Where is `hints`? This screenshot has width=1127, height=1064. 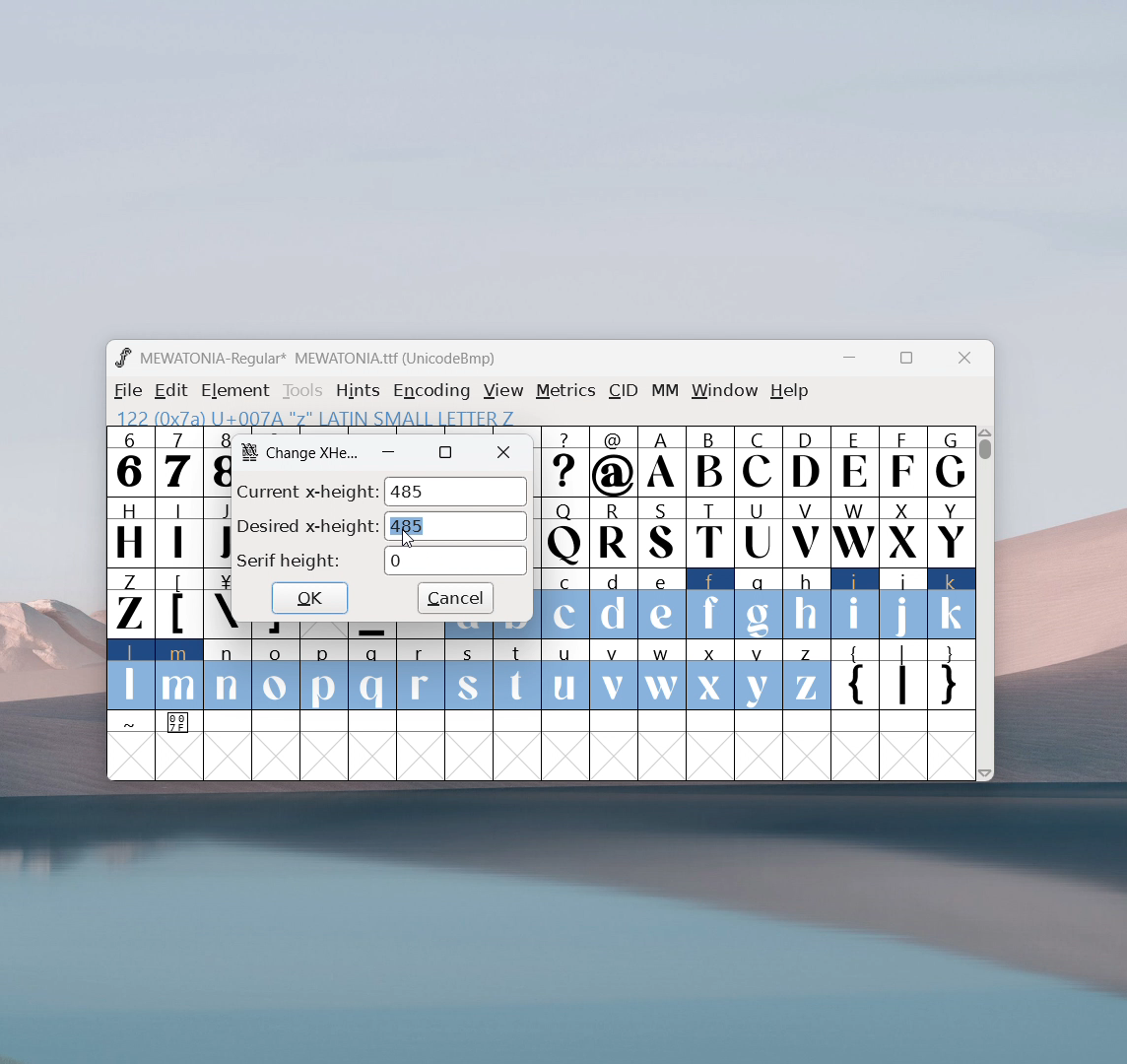
hints is located at coordinates (360, 390).